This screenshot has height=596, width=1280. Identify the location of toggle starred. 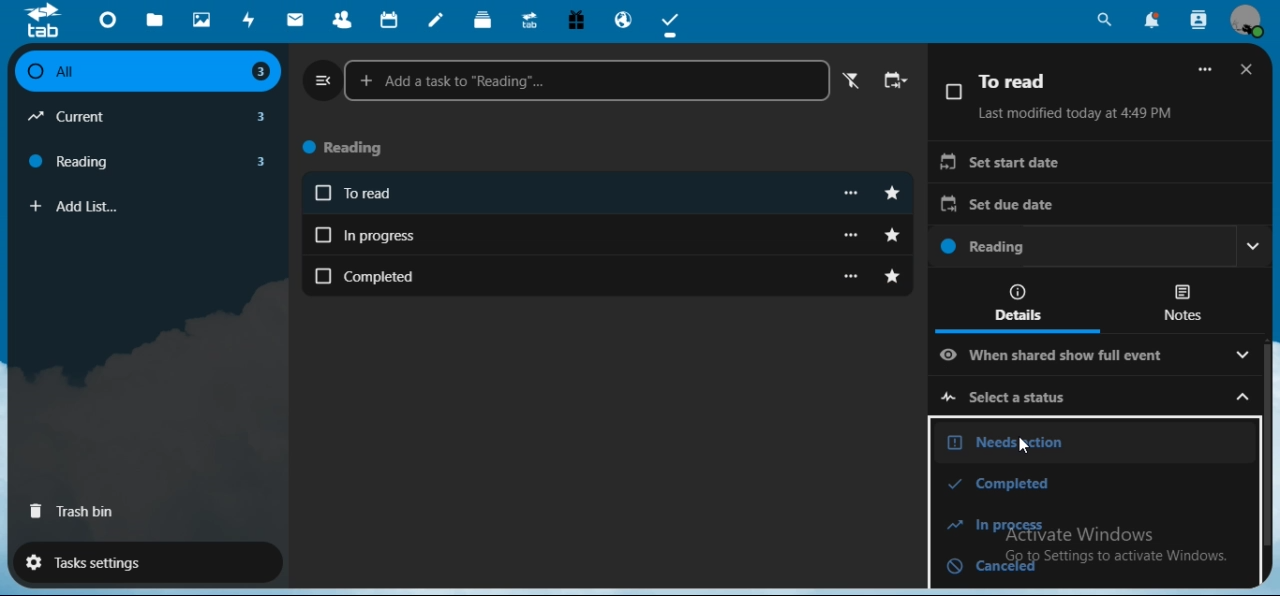
(897, 192).